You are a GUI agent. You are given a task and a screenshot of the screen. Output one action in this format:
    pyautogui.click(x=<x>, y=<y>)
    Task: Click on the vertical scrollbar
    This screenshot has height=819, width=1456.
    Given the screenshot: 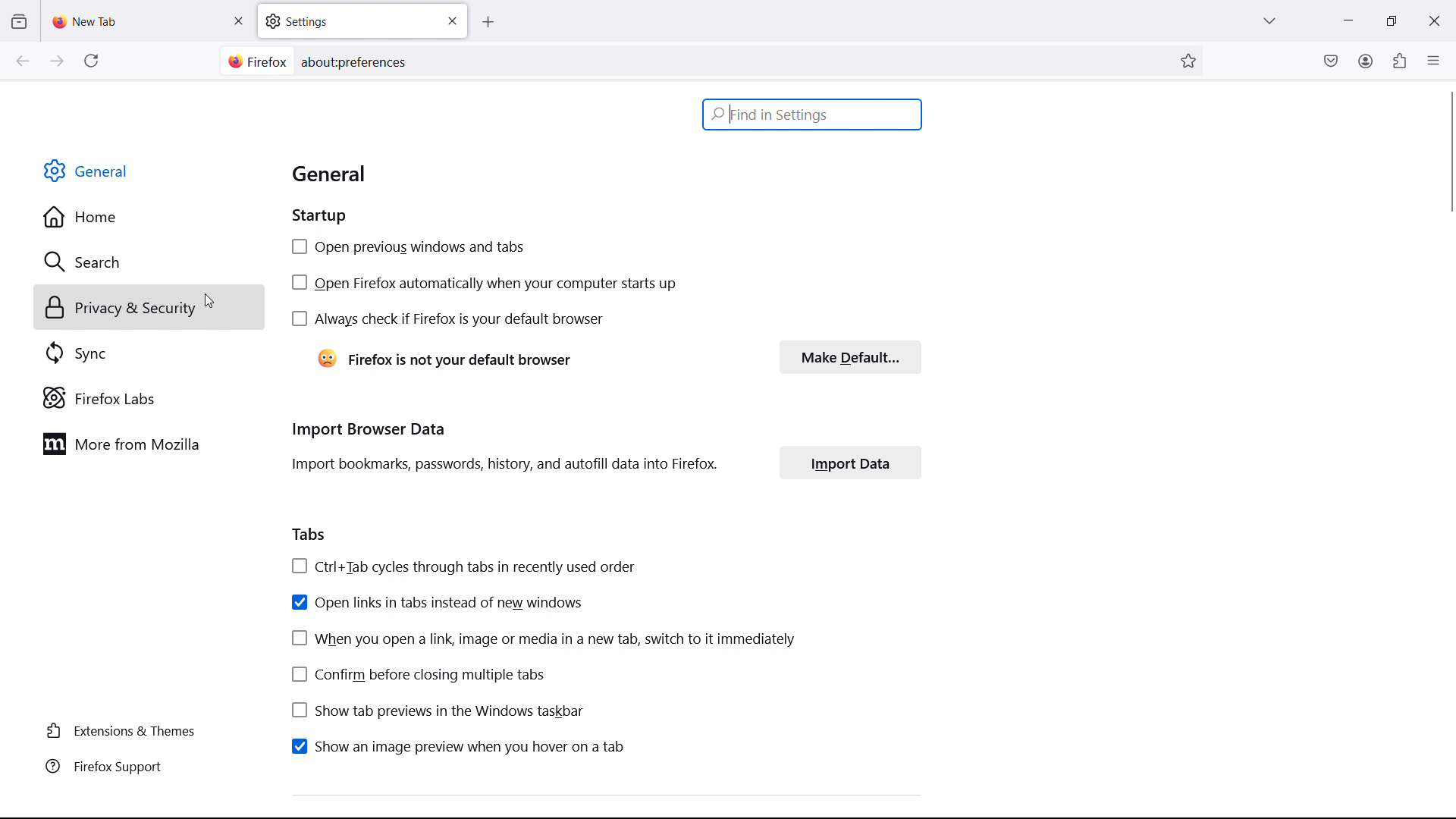 What is the action you would take?
    pyautogui.click(x=1451, y=153)
    